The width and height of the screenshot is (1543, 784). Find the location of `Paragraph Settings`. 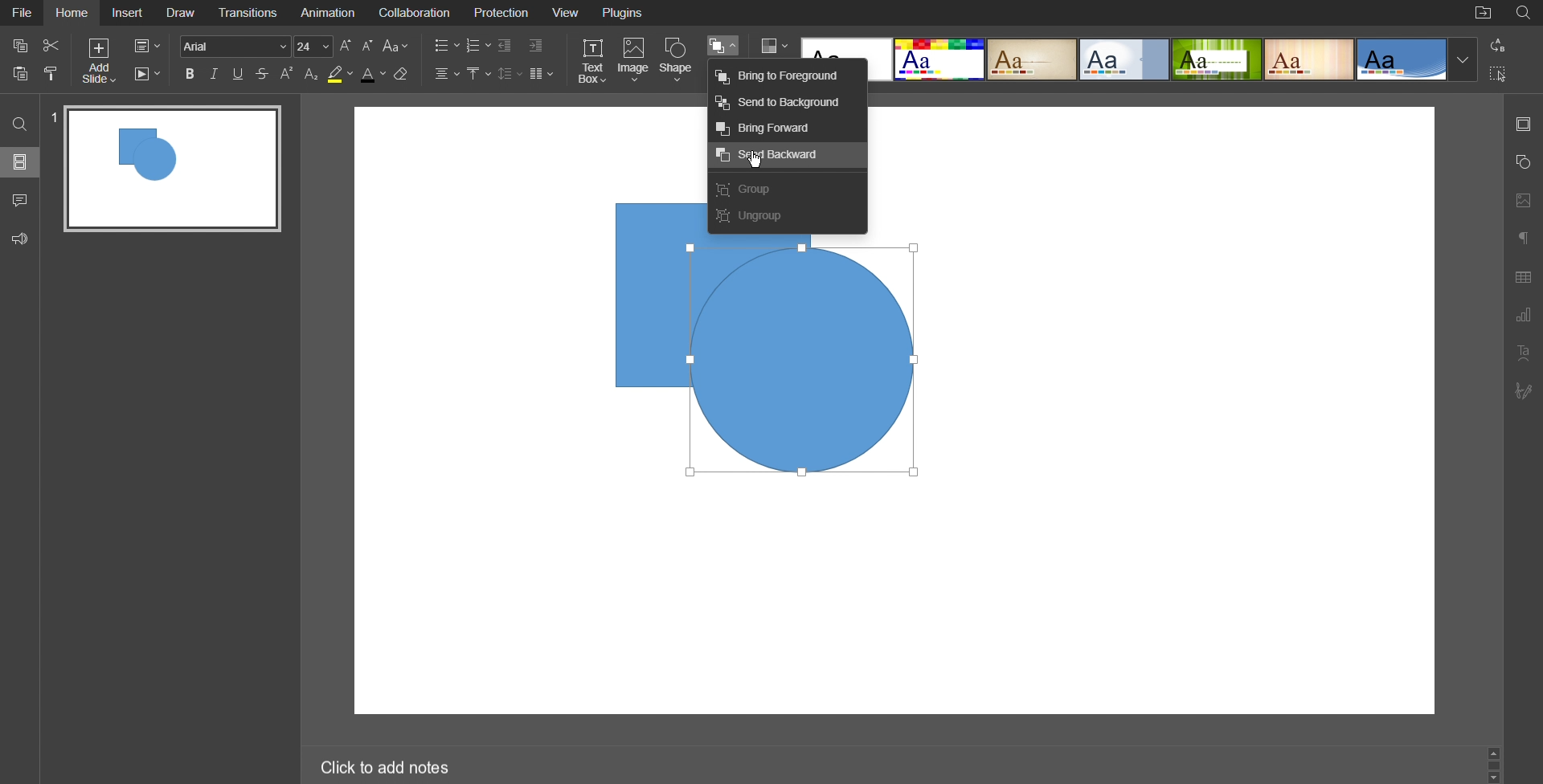

Paragraph Settings is located at coordinates (1523, 239).